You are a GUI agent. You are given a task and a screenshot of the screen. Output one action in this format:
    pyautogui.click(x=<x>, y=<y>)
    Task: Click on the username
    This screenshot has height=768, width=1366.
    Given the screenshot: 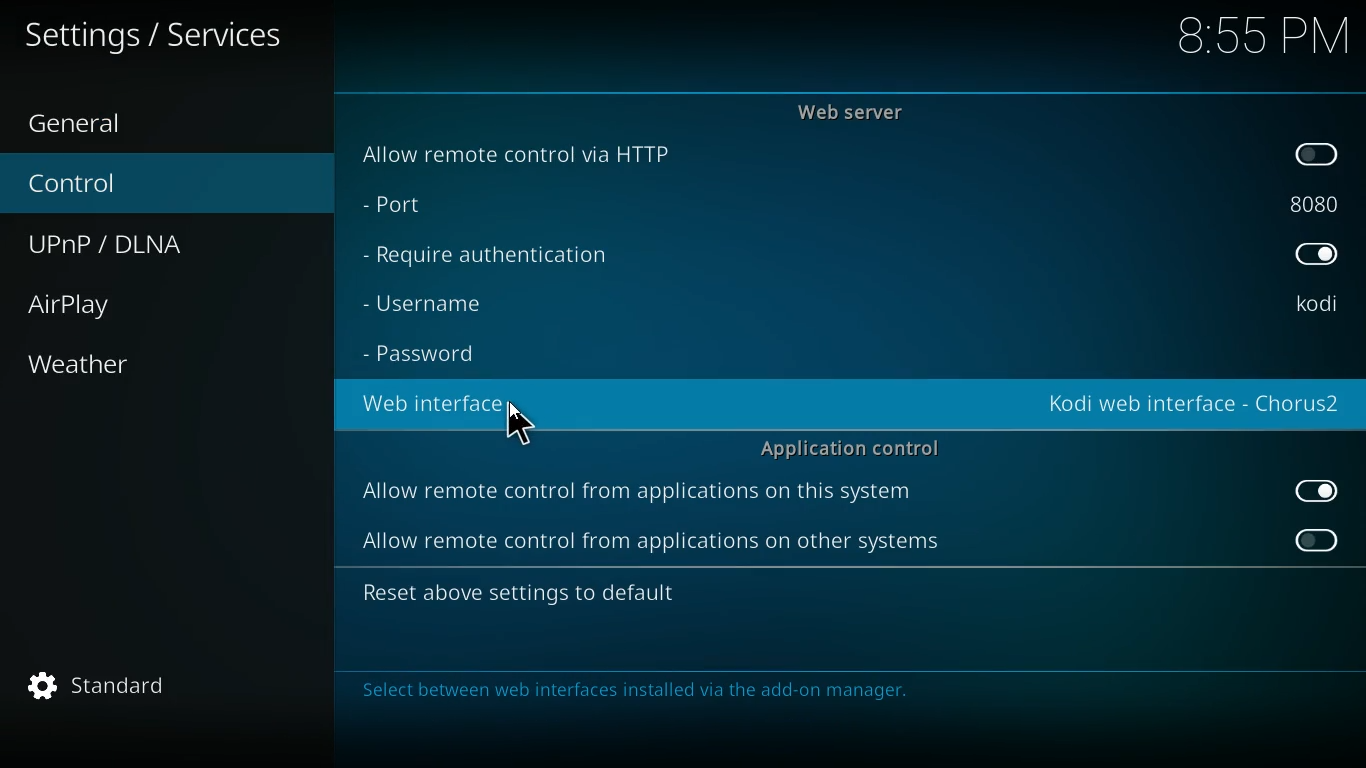 What is the action you would take?
    pyautogui.click(x=449, y=303)
    